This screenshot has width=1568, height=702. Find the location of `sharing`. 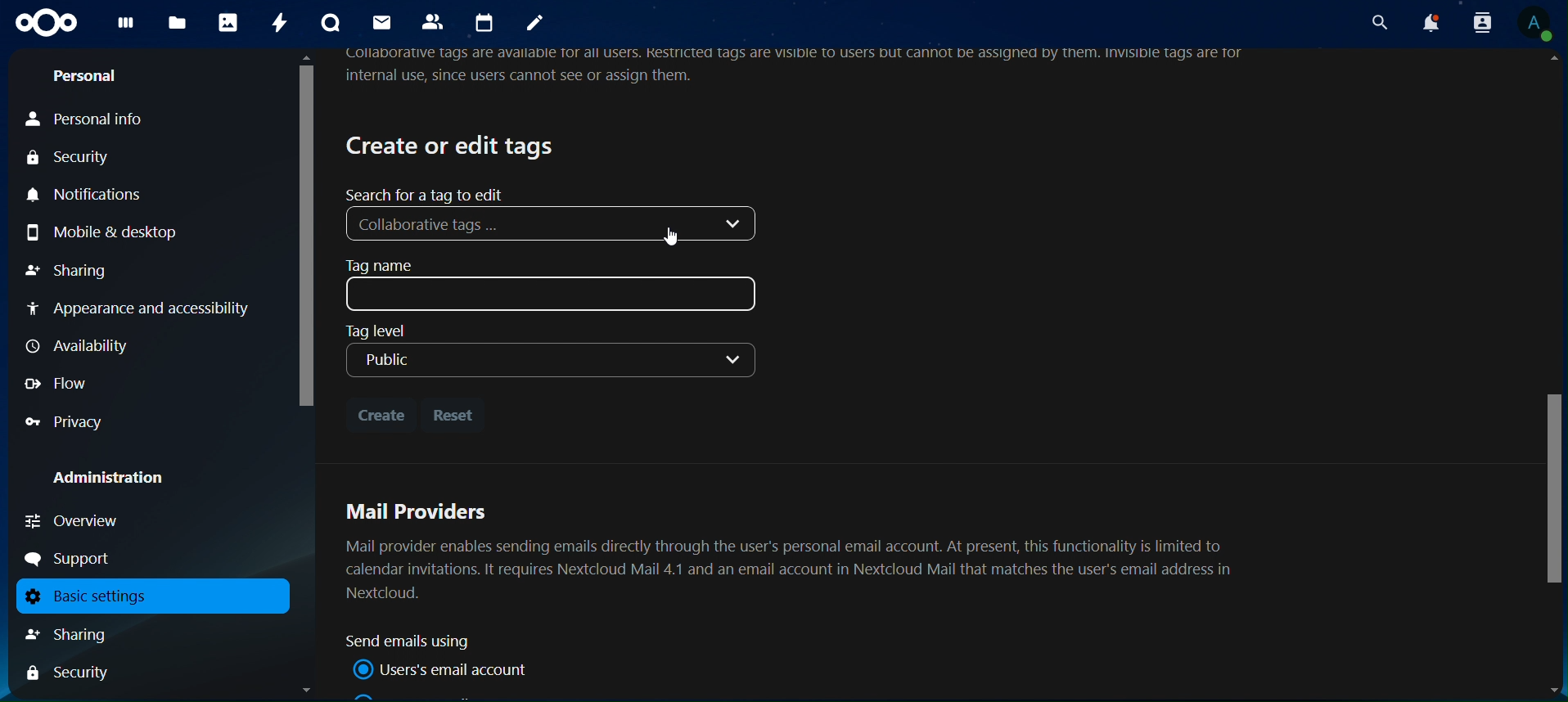

sharing is located at coordinates (70, 269).